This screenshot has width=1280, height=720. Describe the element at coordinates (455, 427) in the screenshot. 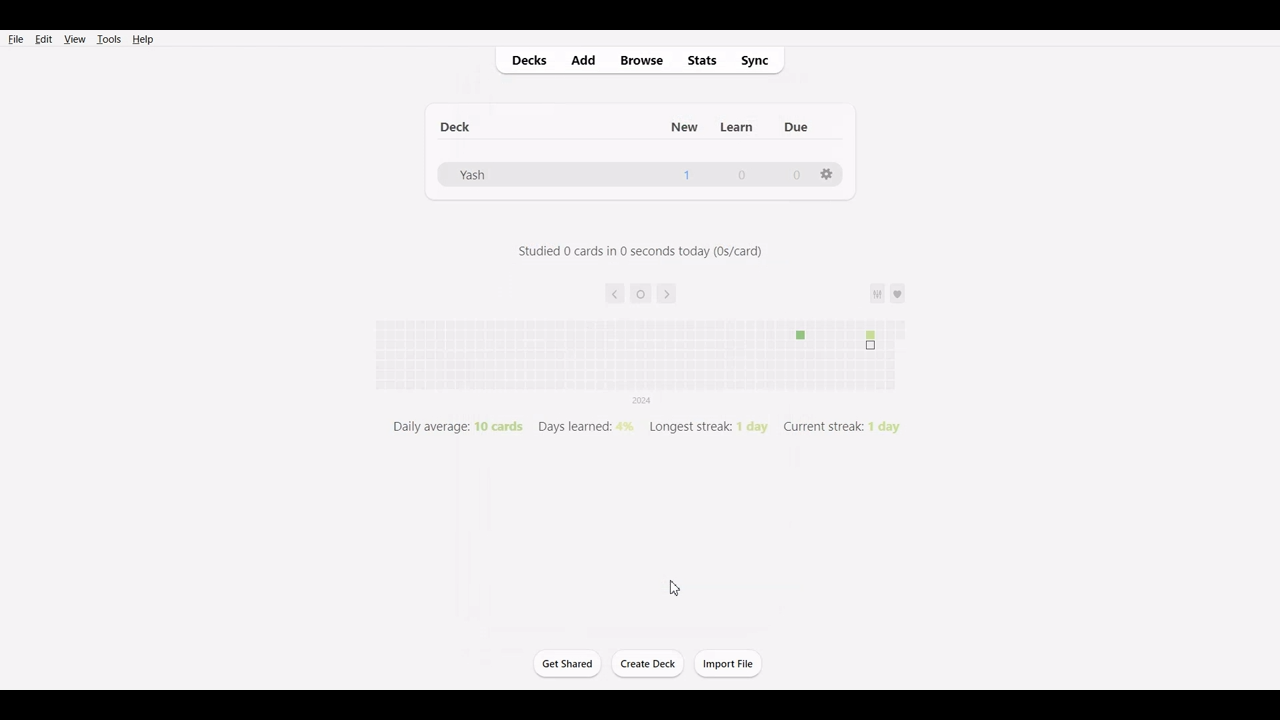

I see `Daily average: 10 cards` at that location.